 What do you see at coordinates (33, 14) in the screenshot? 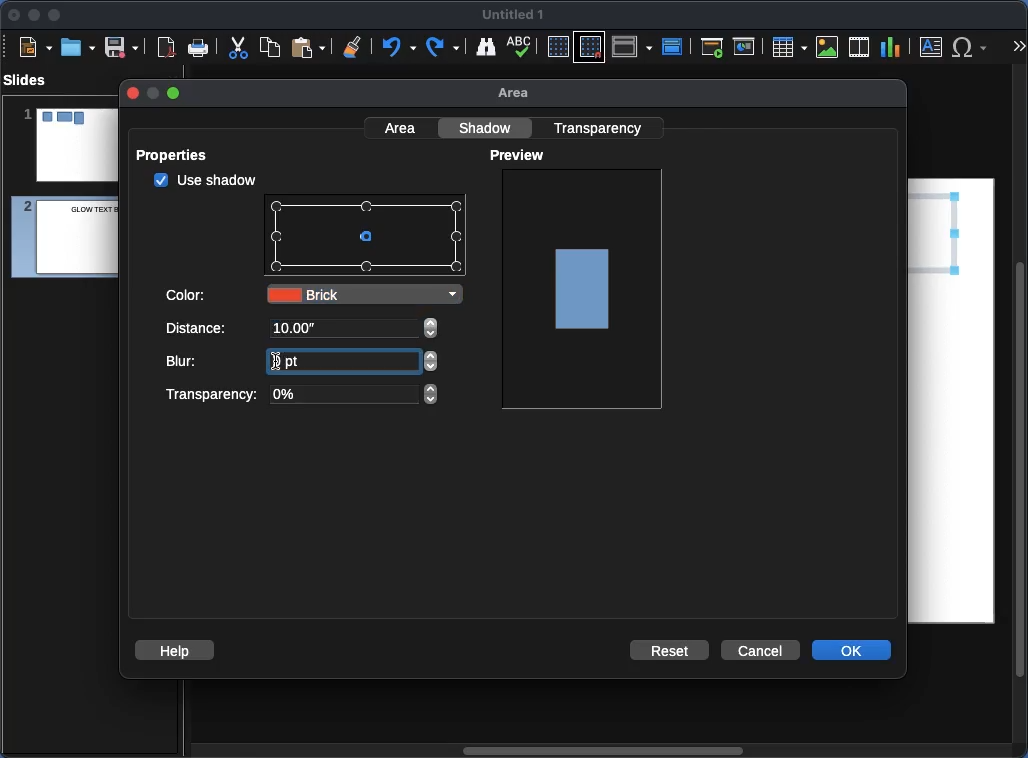
I see `Minimize` at bounding box center [33, 14].